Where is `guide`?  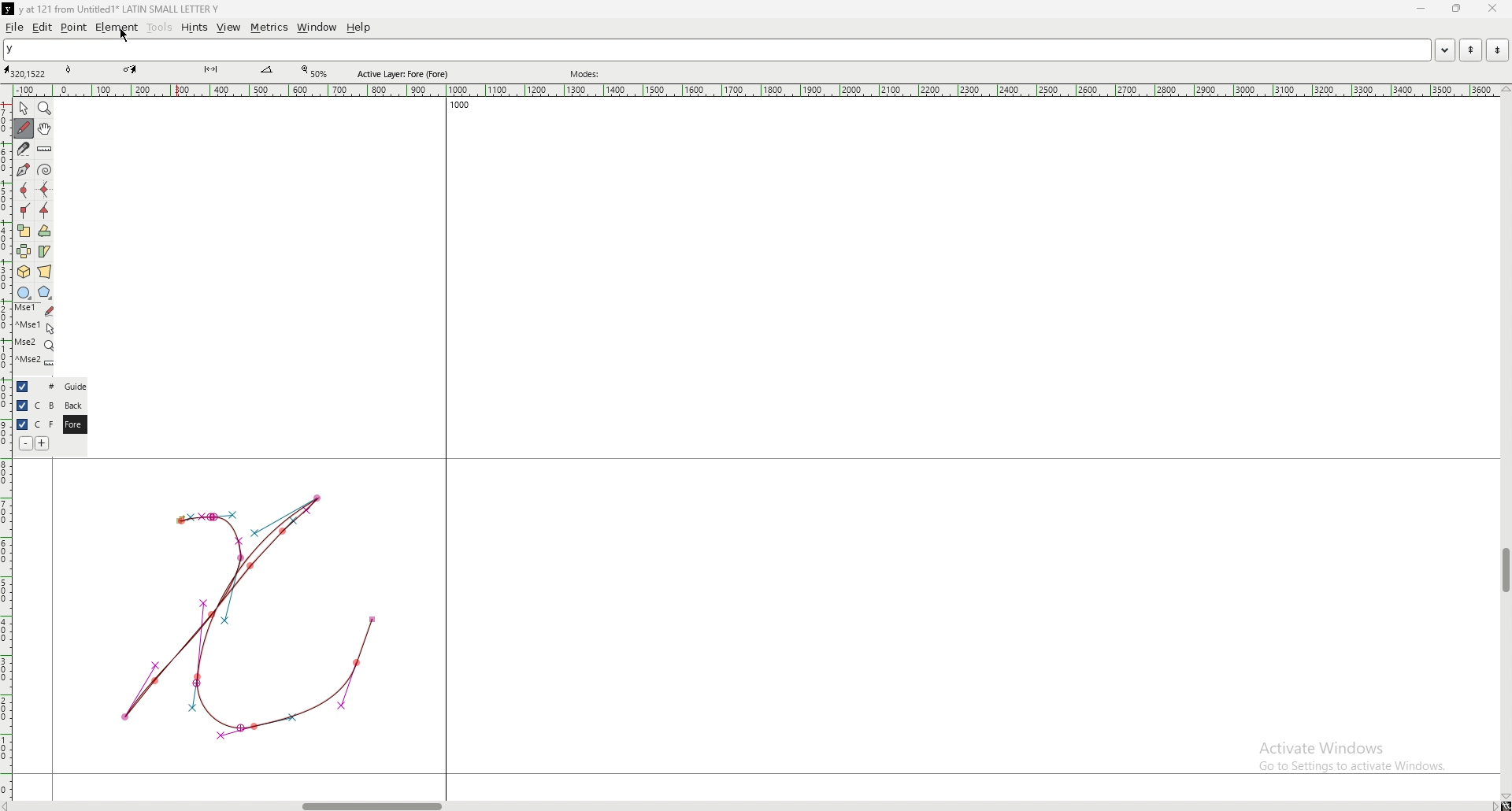 guide is located at coordinates (75, 387).